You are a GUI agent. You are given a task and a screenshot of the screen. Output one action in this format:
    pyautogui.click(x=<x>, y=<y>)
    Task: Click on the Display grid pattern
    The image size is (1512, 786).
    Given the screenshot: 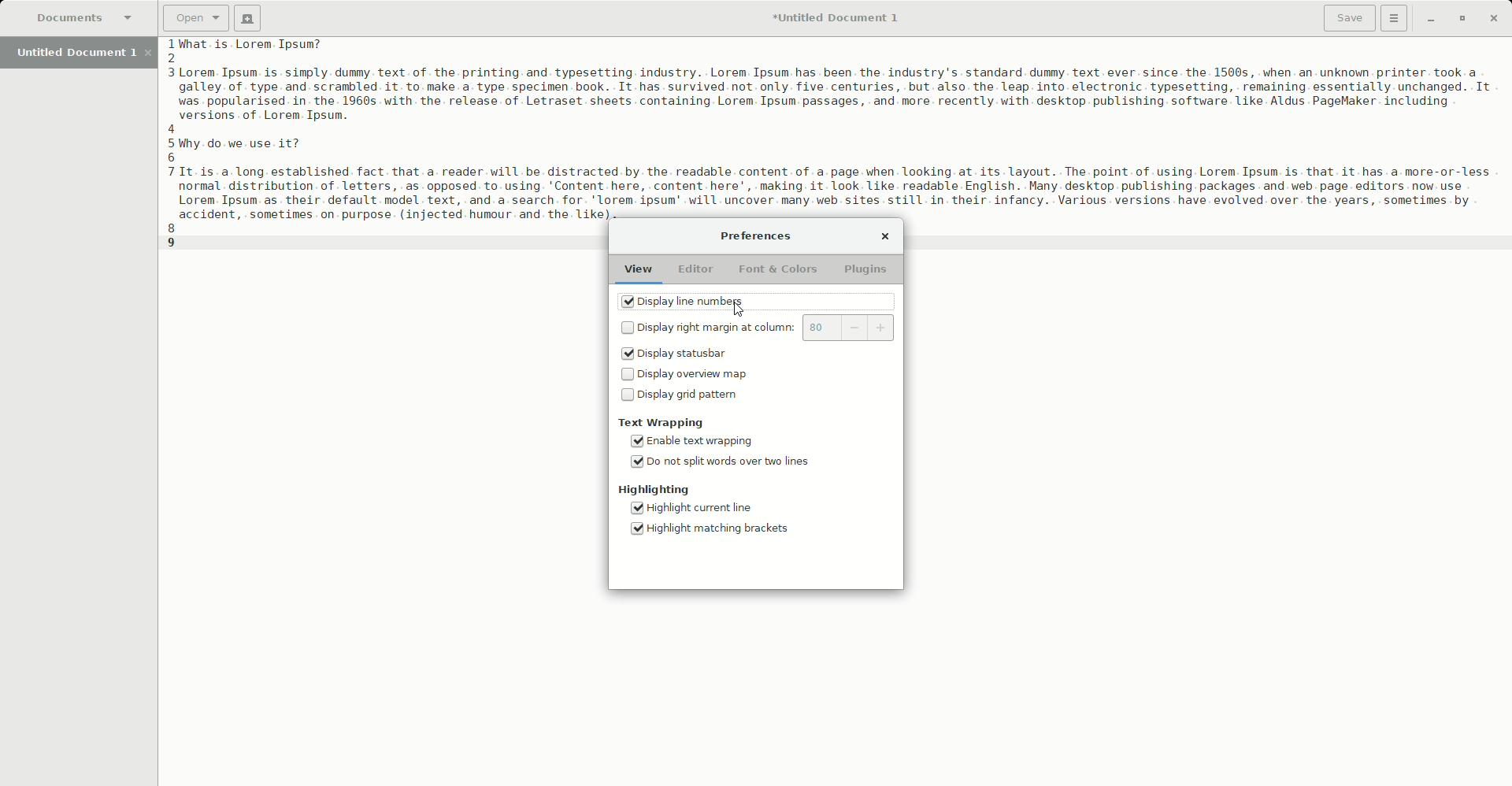 What is the action you would take?
    pyautogui.click(x=683, y=398)
    